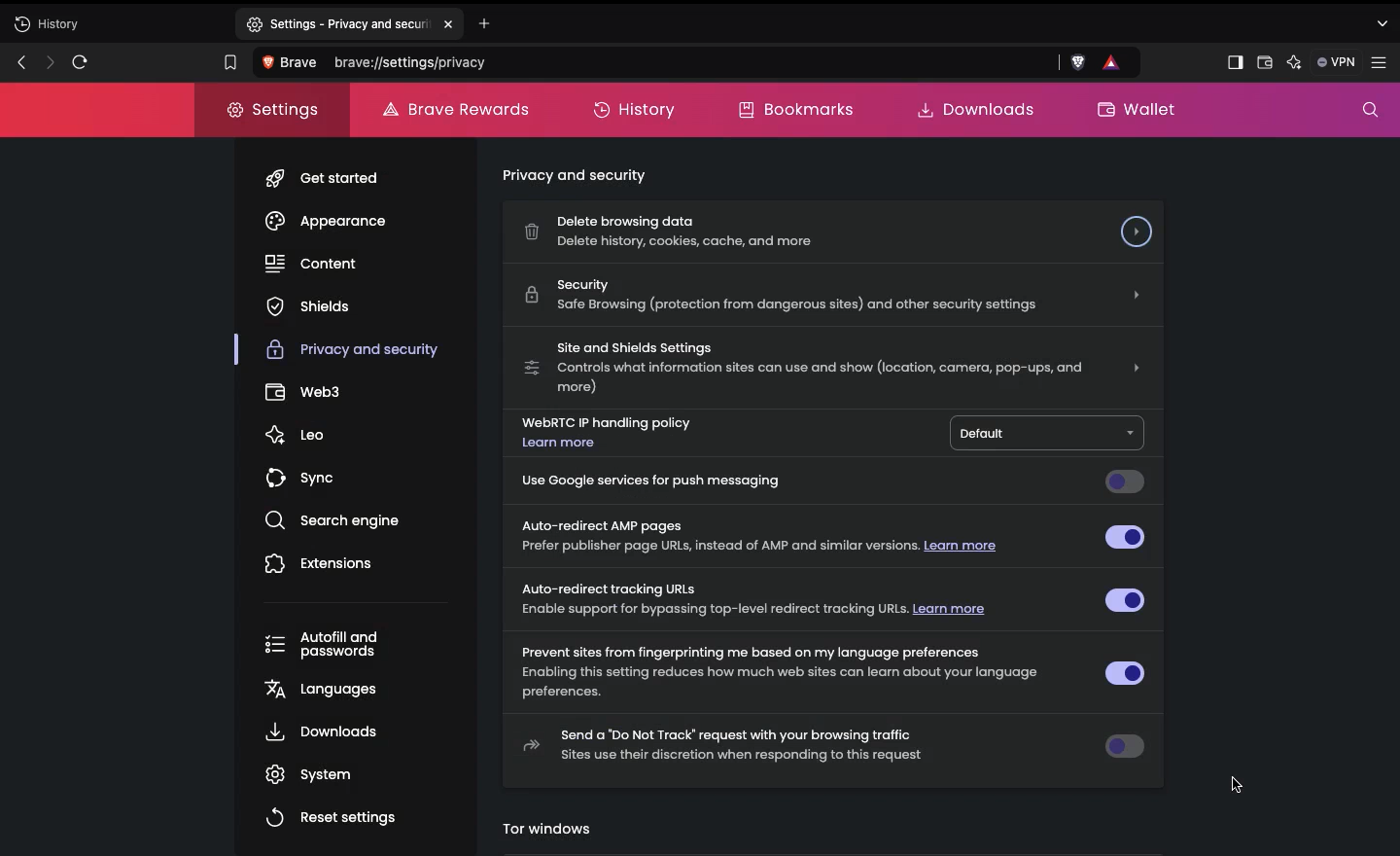 The width and height of the screenshot is (1400, 856). Describe the element at coordinates (834, 601) in the screenshot. I see `Auto-redirect tracking URLs
Enable support for bypassing top-level redirect tracking URLs. Learn more` at that location.